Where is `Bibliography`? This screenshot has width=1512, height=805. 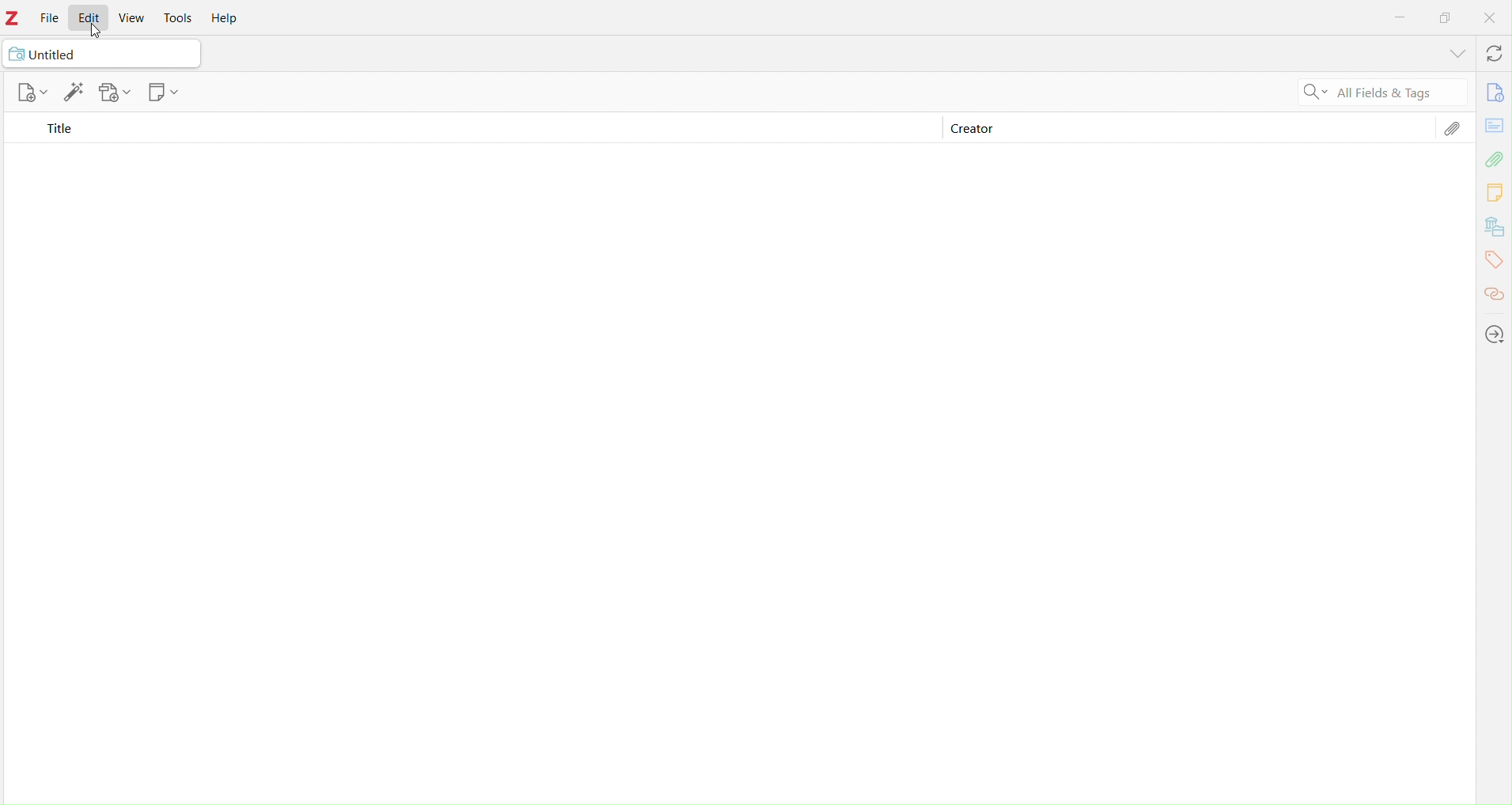
Bibliography is located at coordinates (1494, 228).